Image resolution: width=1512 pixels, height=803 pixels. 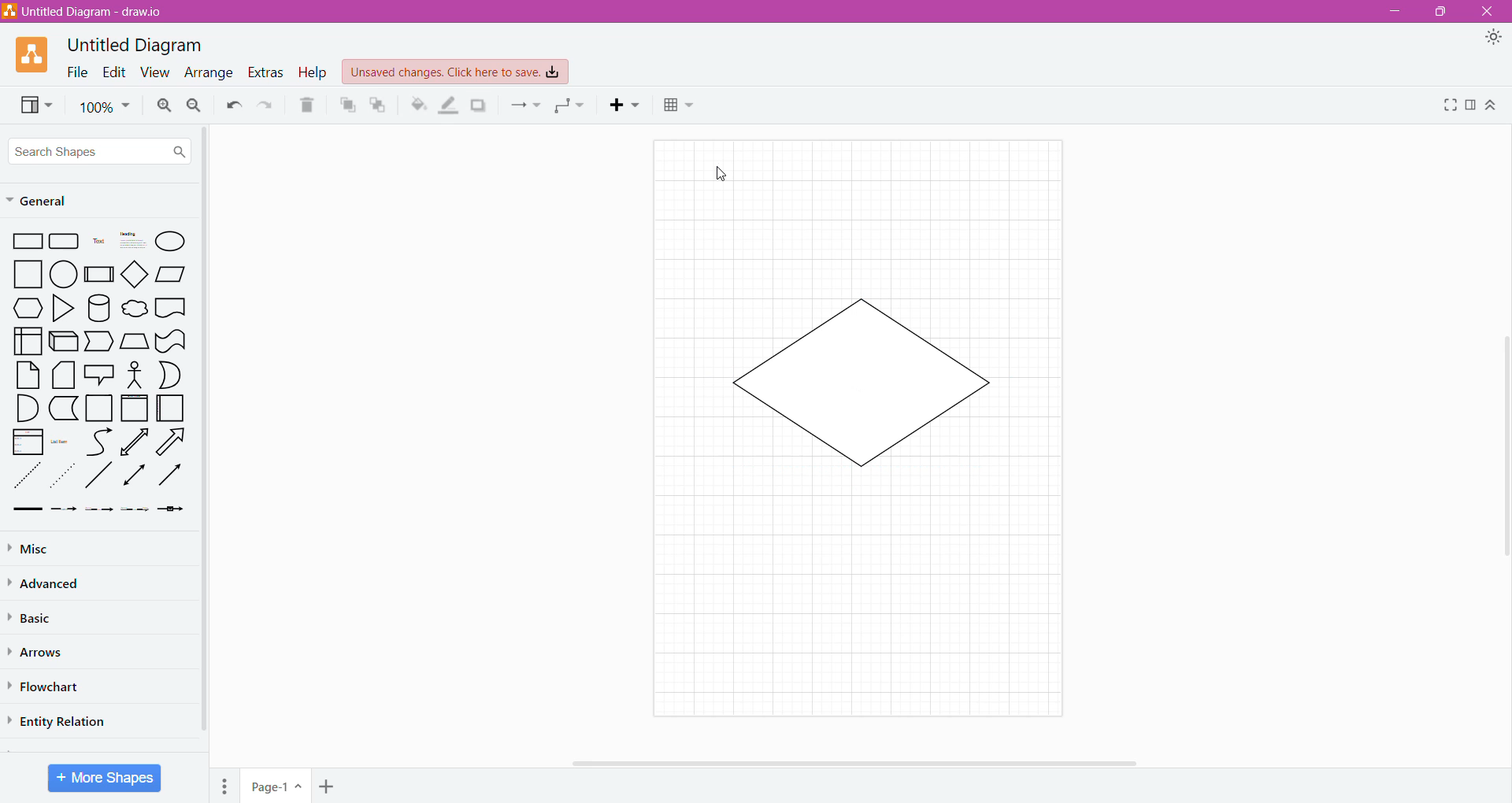 I want to click on Zoom Out, so click(x=194, y=106).